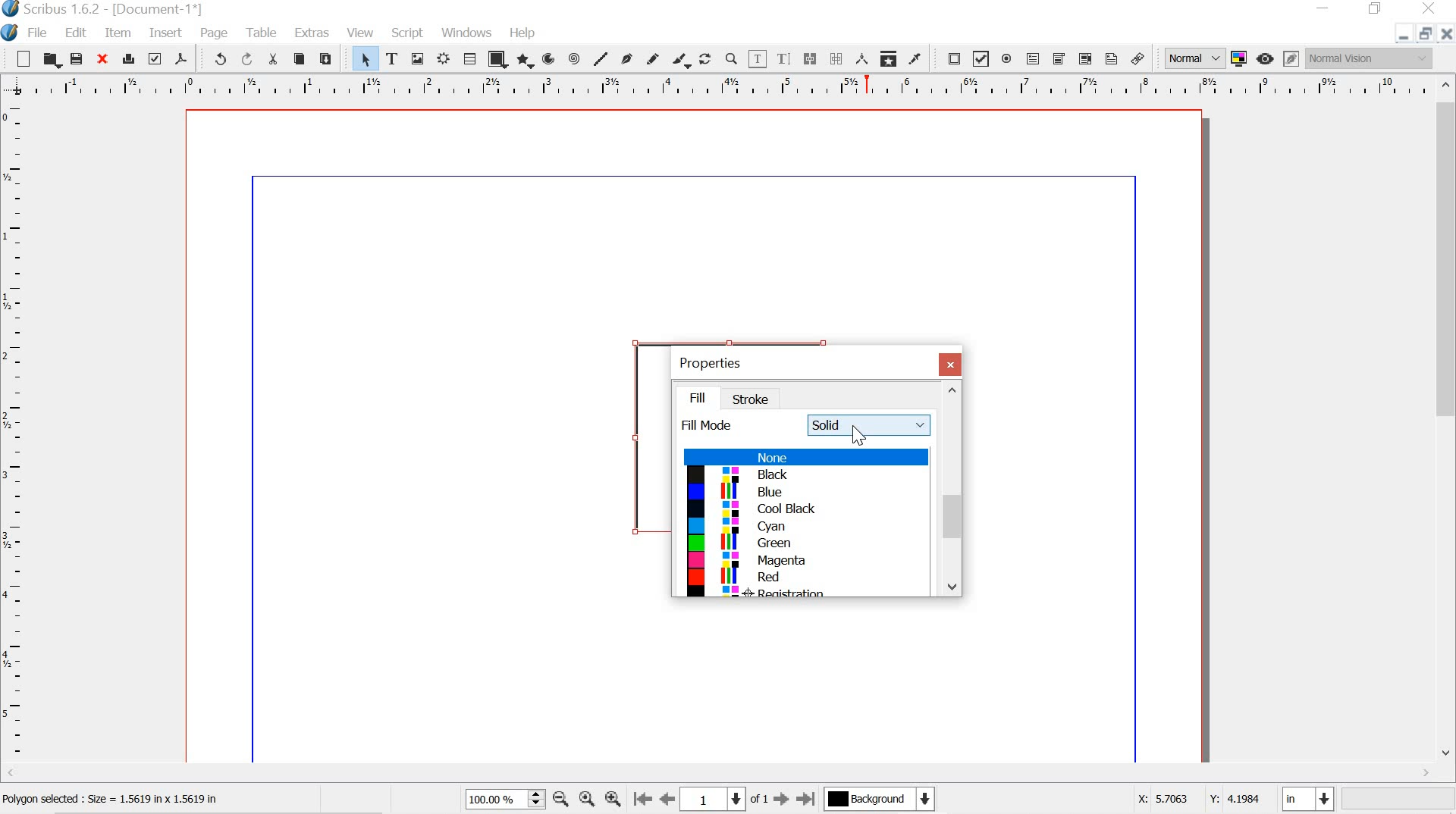  Describe the element at coordinates (311, 33) in the screenshot. I see `extras` at that location.